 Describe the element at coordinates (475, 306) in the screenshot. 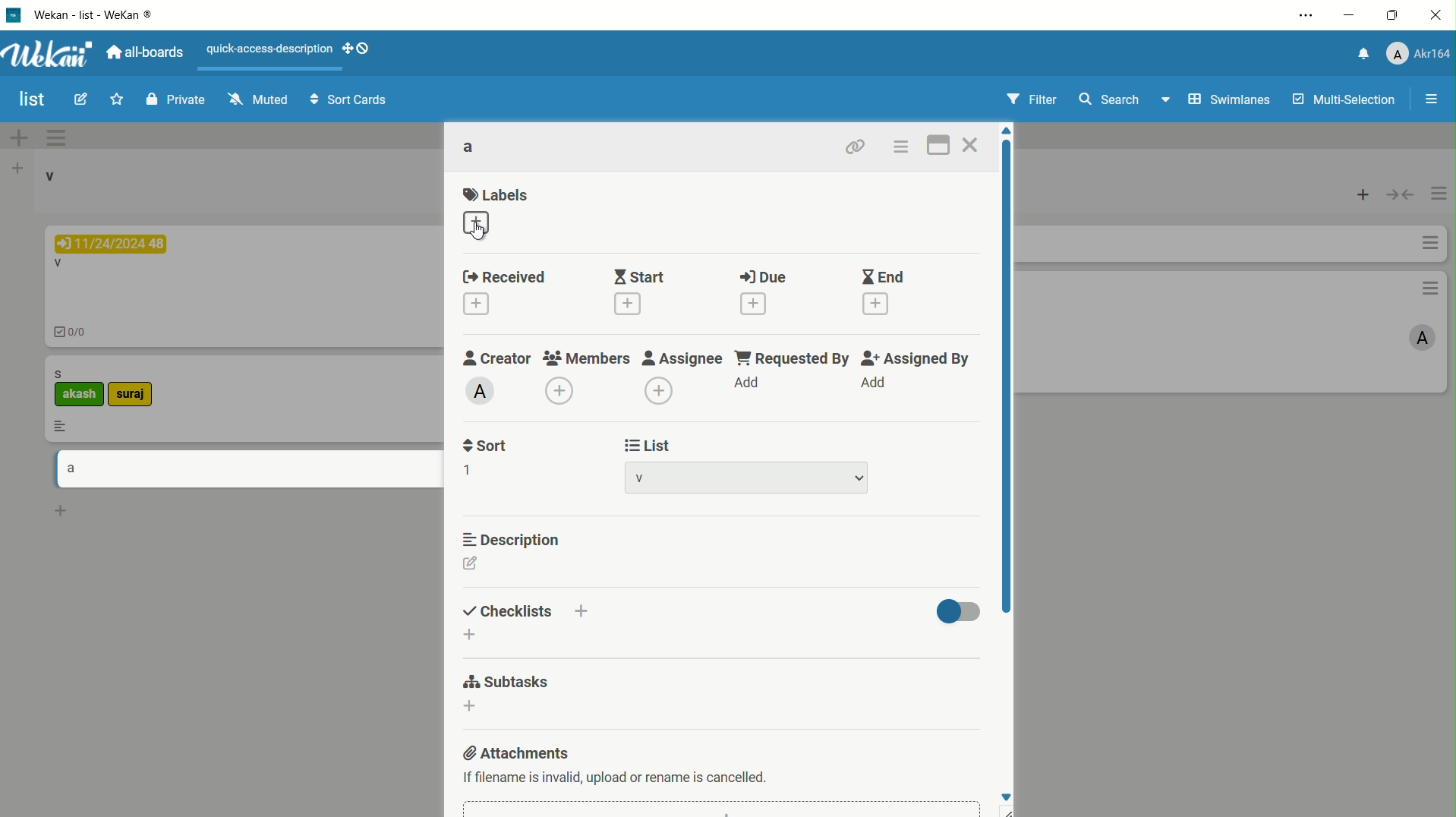

I see `add date` at that location.